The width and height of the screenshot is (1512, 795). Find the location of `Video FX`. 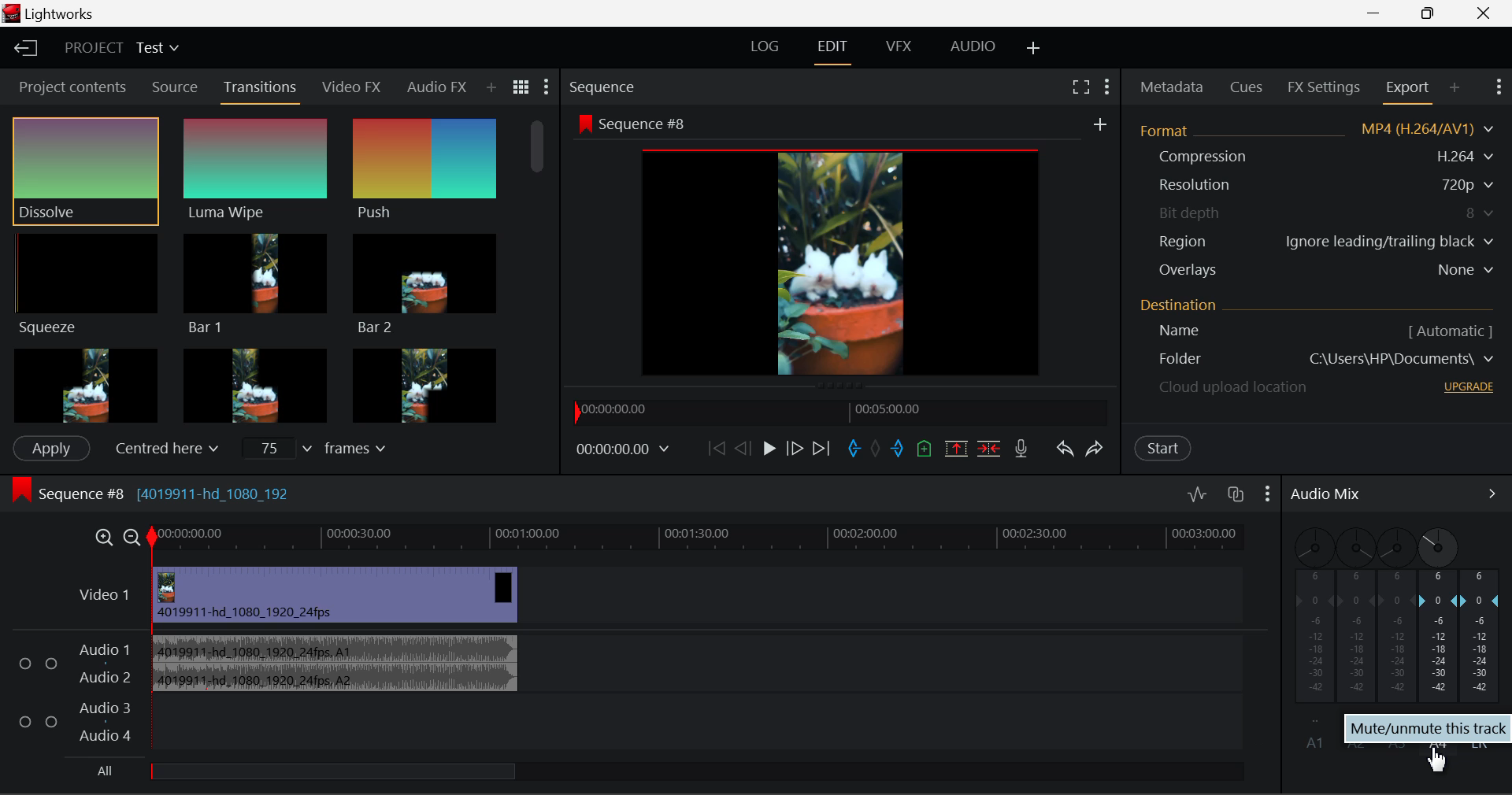

Video FX is located at coordinates (350, 91).